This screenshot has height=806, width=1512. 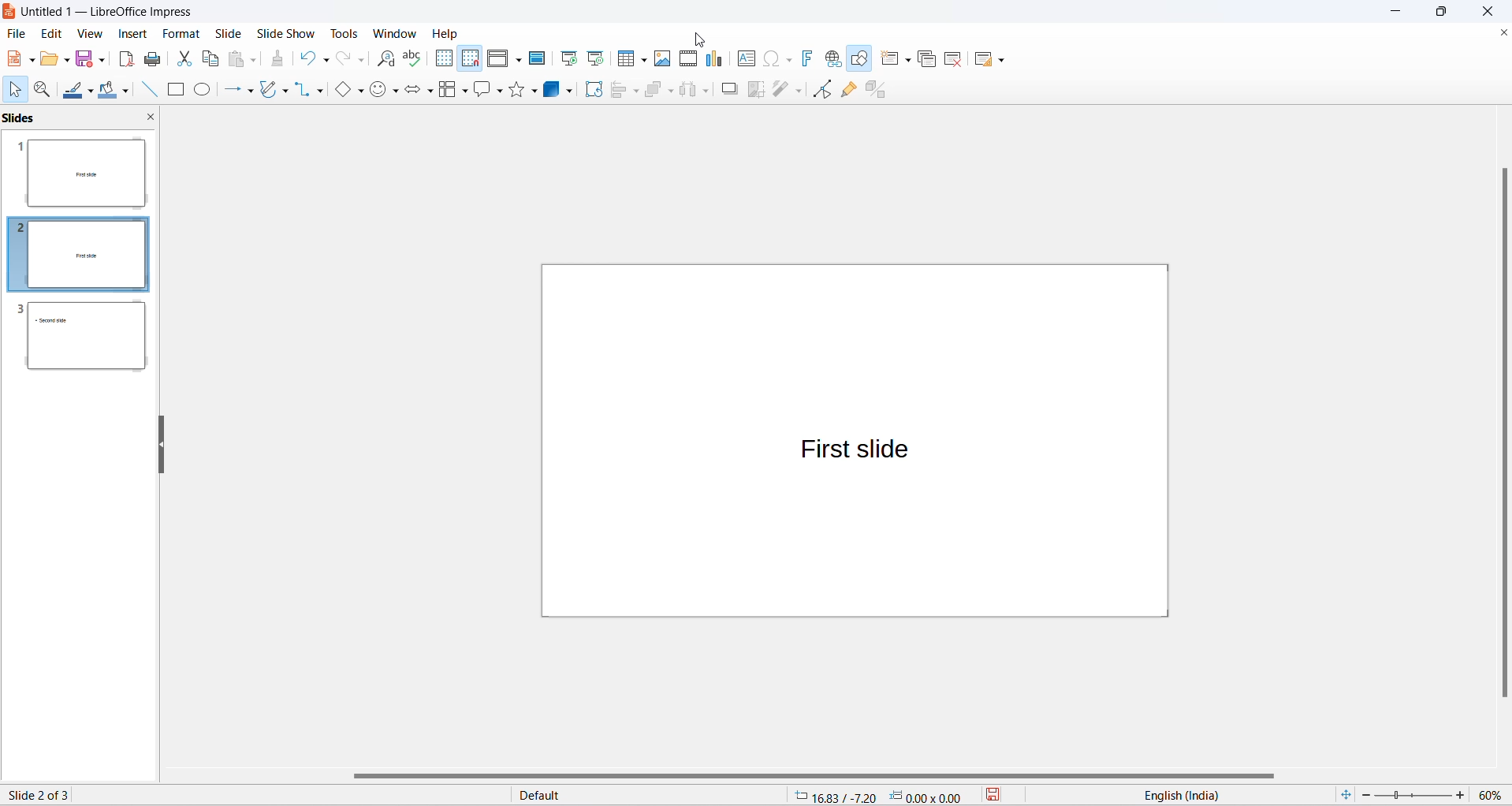 I want to click on insert audio and video, so click(x=687, y=58).